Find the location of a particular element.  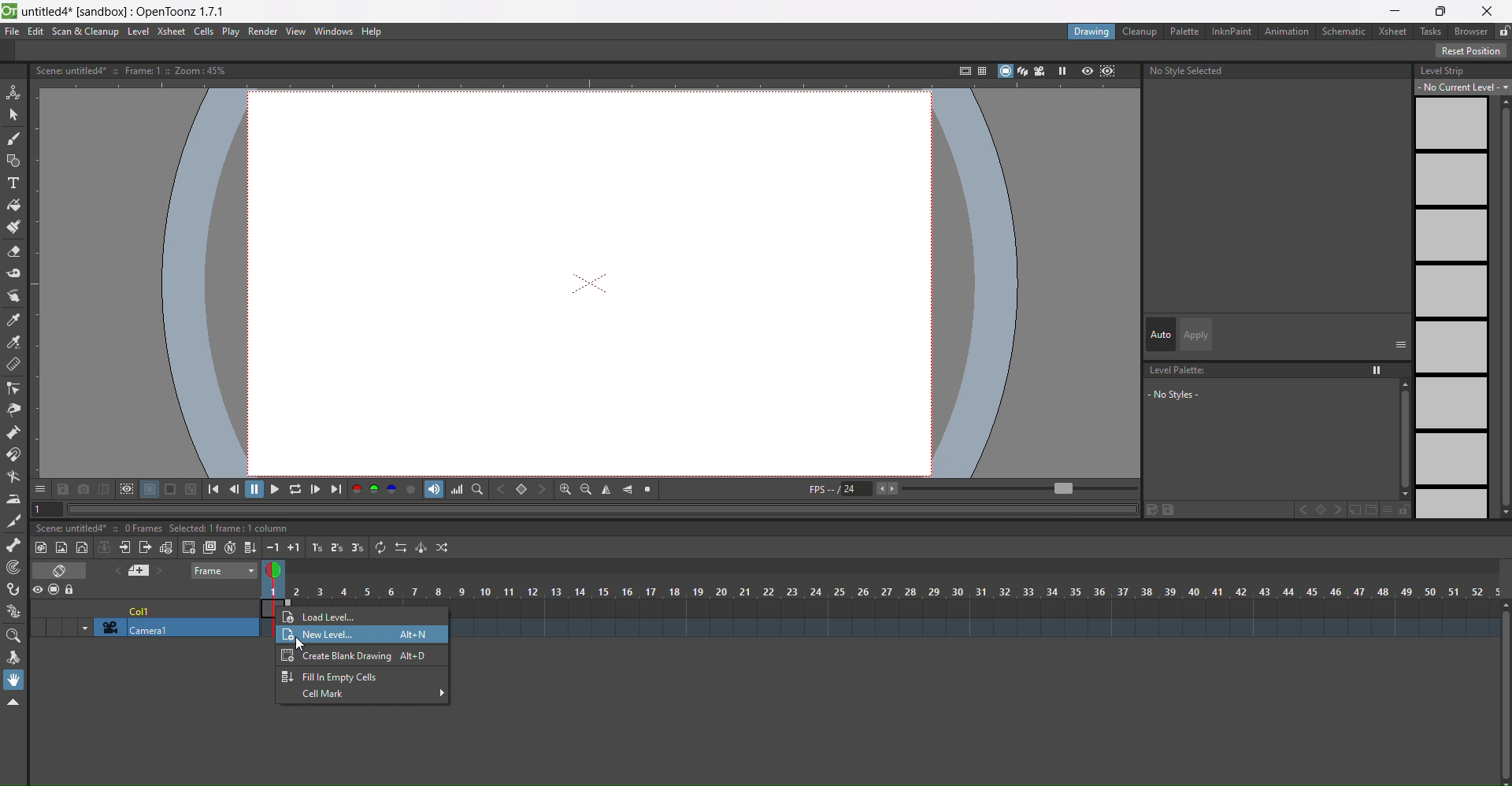

iron tool is located at coordinates (13, 500).